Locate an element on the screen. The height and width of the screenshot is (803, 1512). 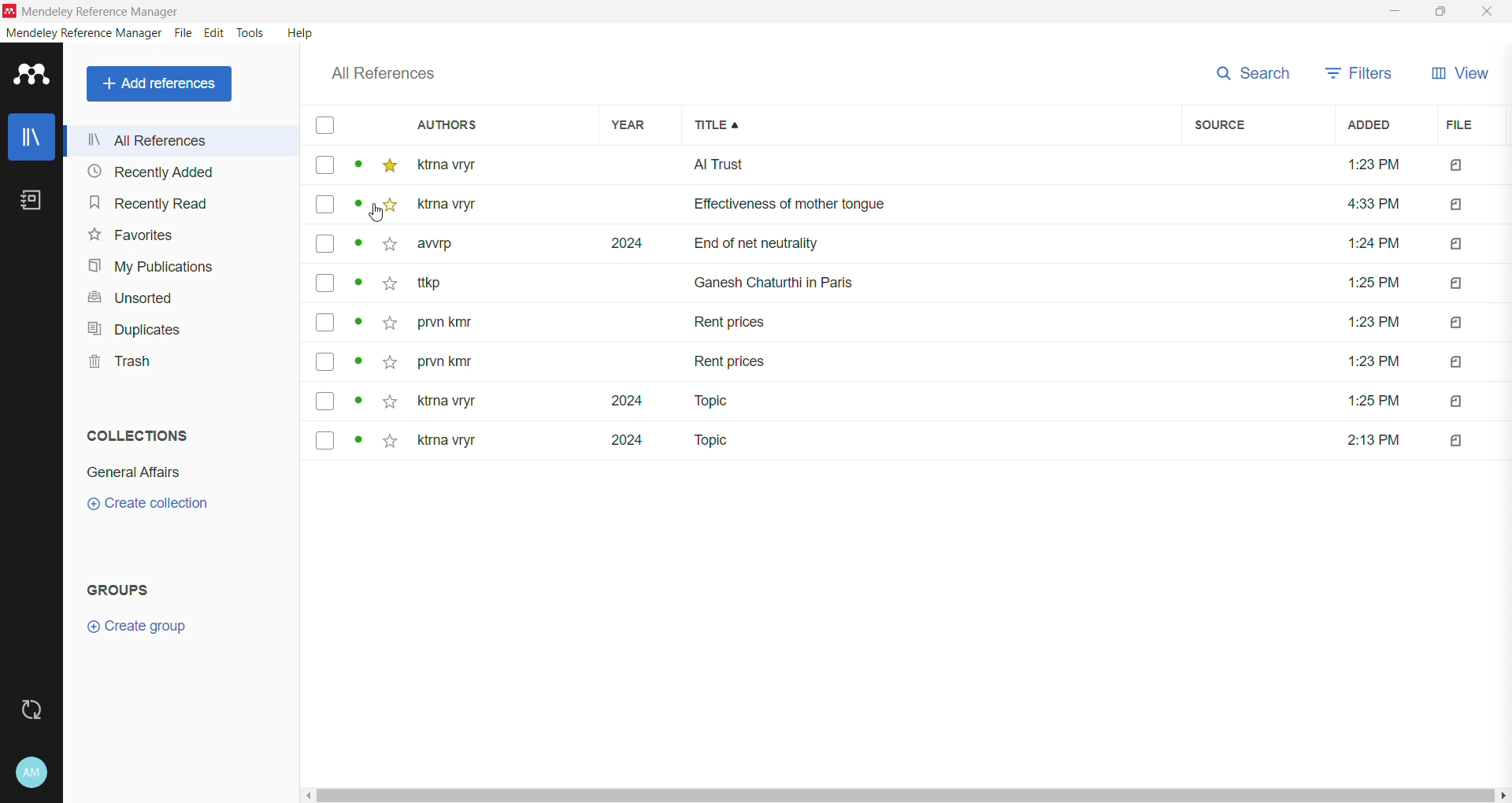
ktna vryt  is located at coordinates (443, 402).